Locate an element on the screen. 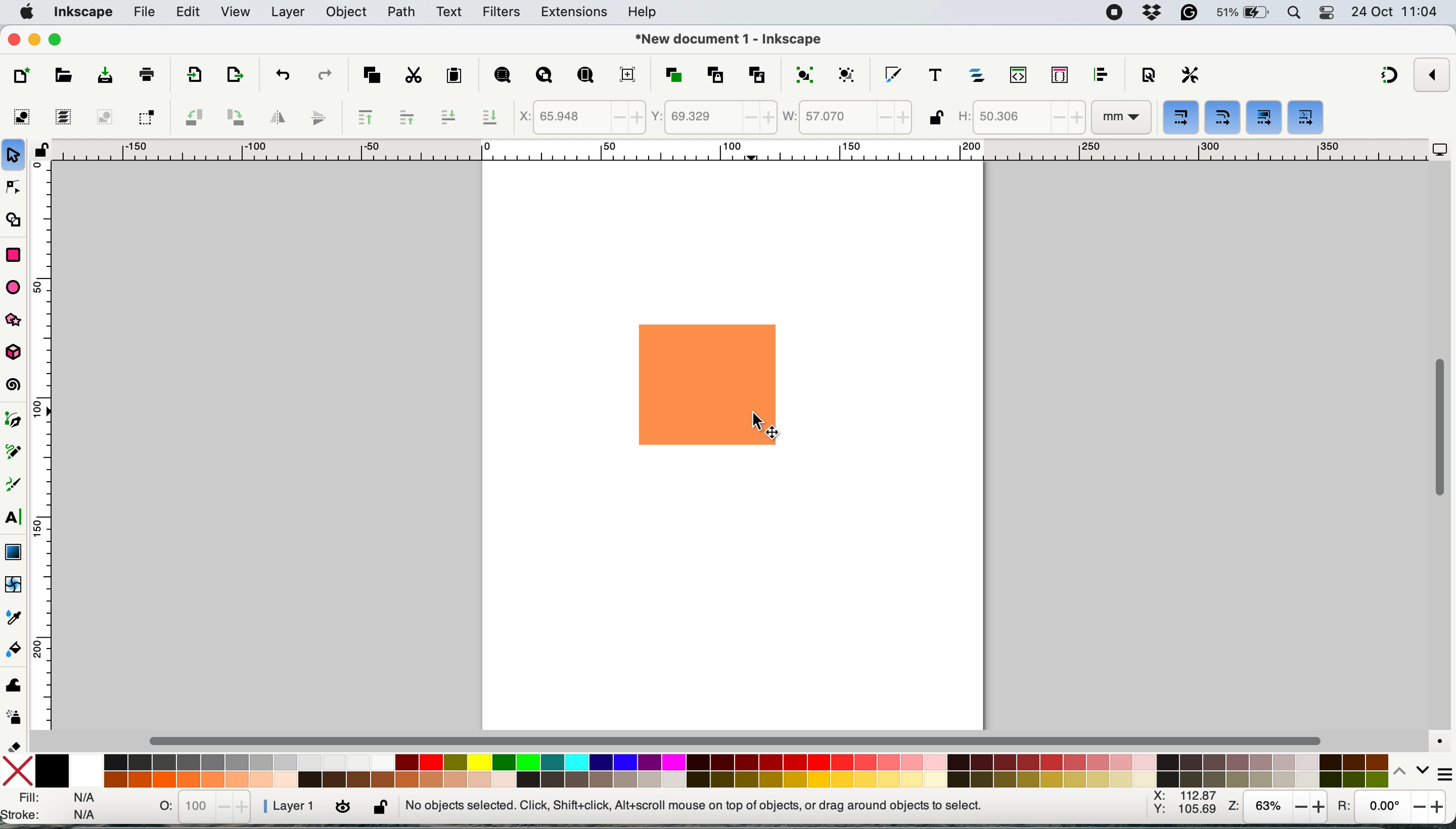 The image size is (1456, 829). texts and fonts is located at coordinates (935, 75).